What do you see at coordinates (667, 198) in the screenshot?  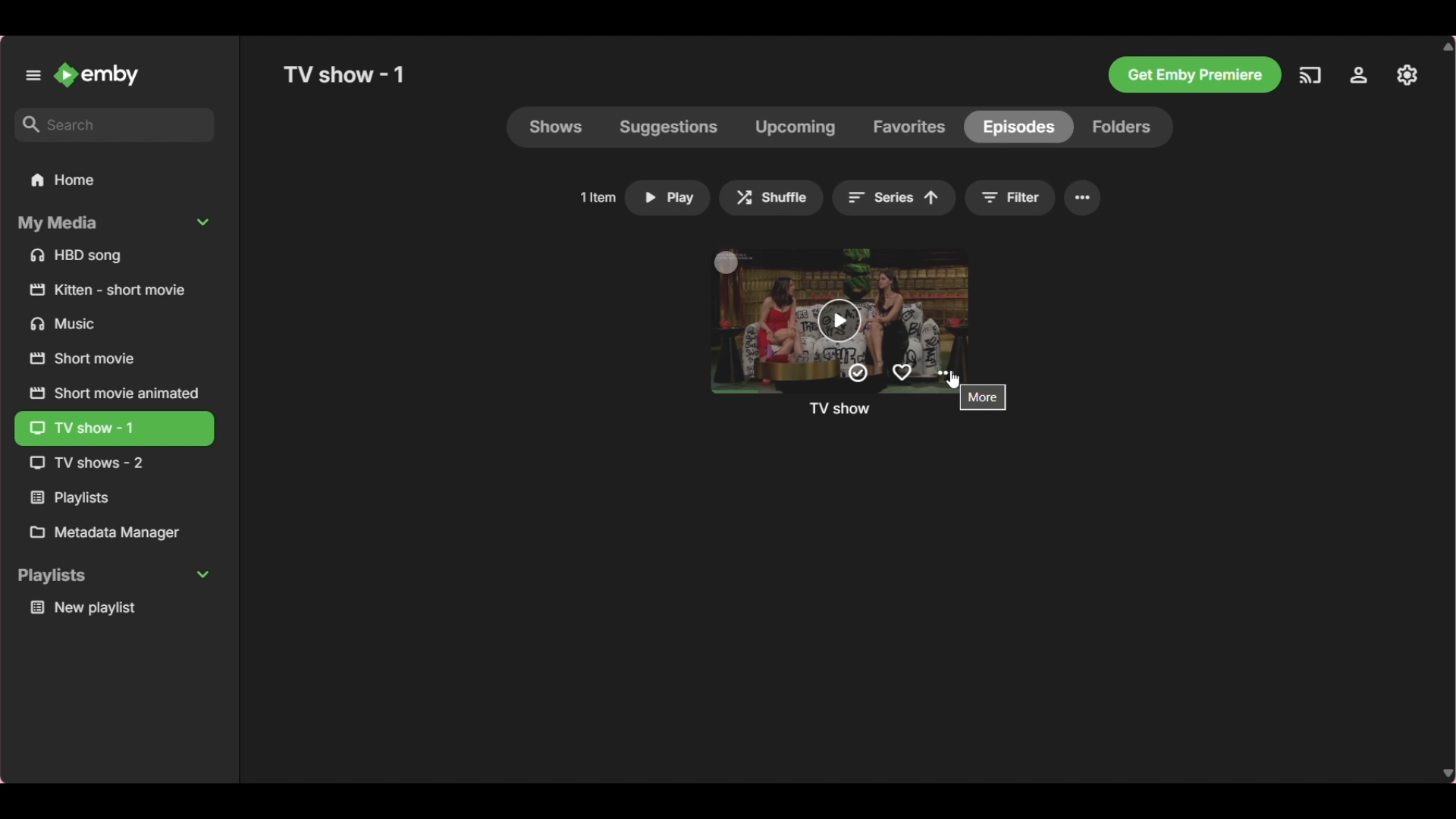 I see `Click to play selected episode` at bounding box center [667, 198].